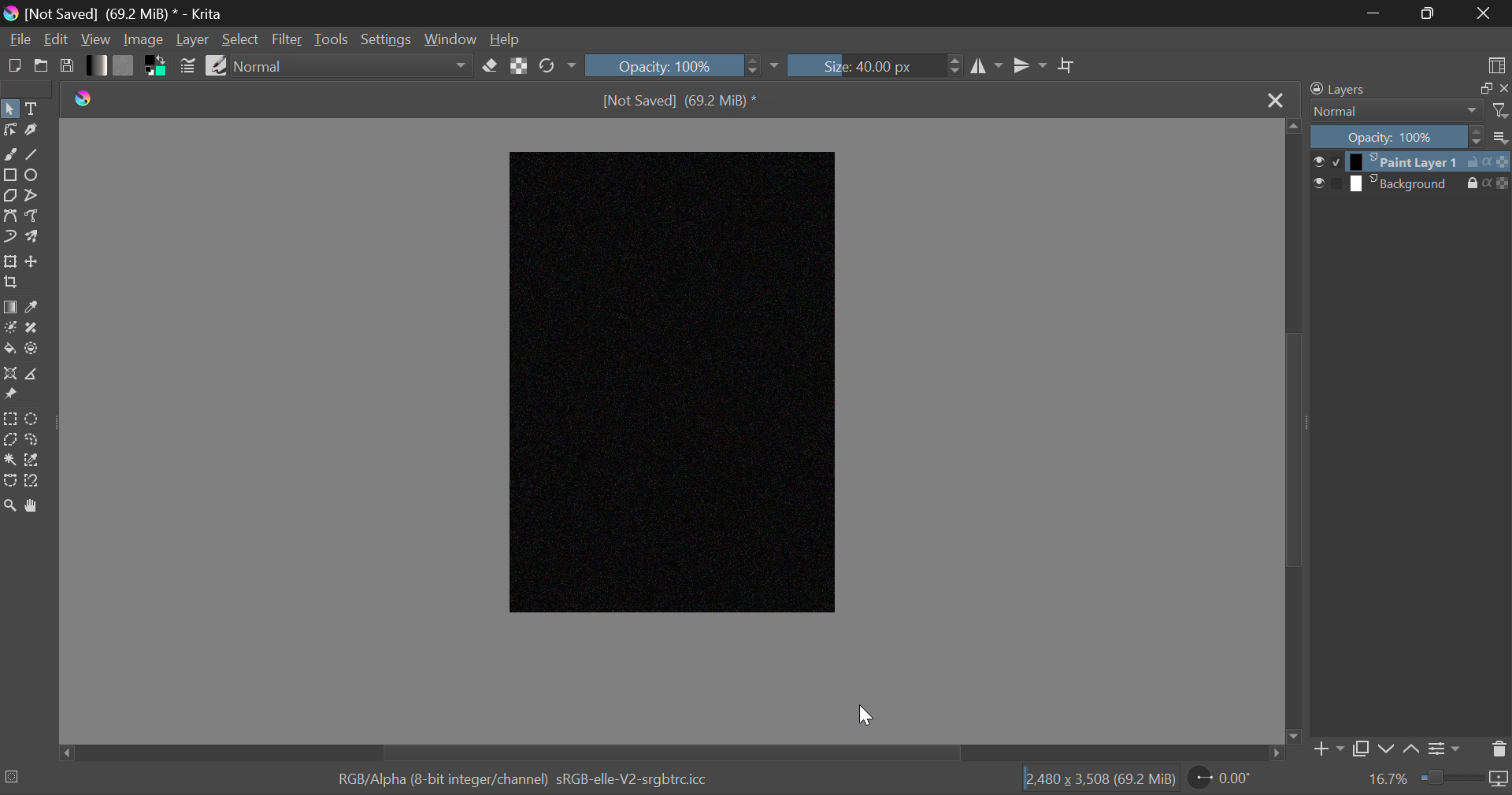 Image resolution: width=1512 pixels, height=795 pixels. What do you see at coordinates (387, 38) in the screenshot?
I see `Settings` at bounding box center [387, 38].